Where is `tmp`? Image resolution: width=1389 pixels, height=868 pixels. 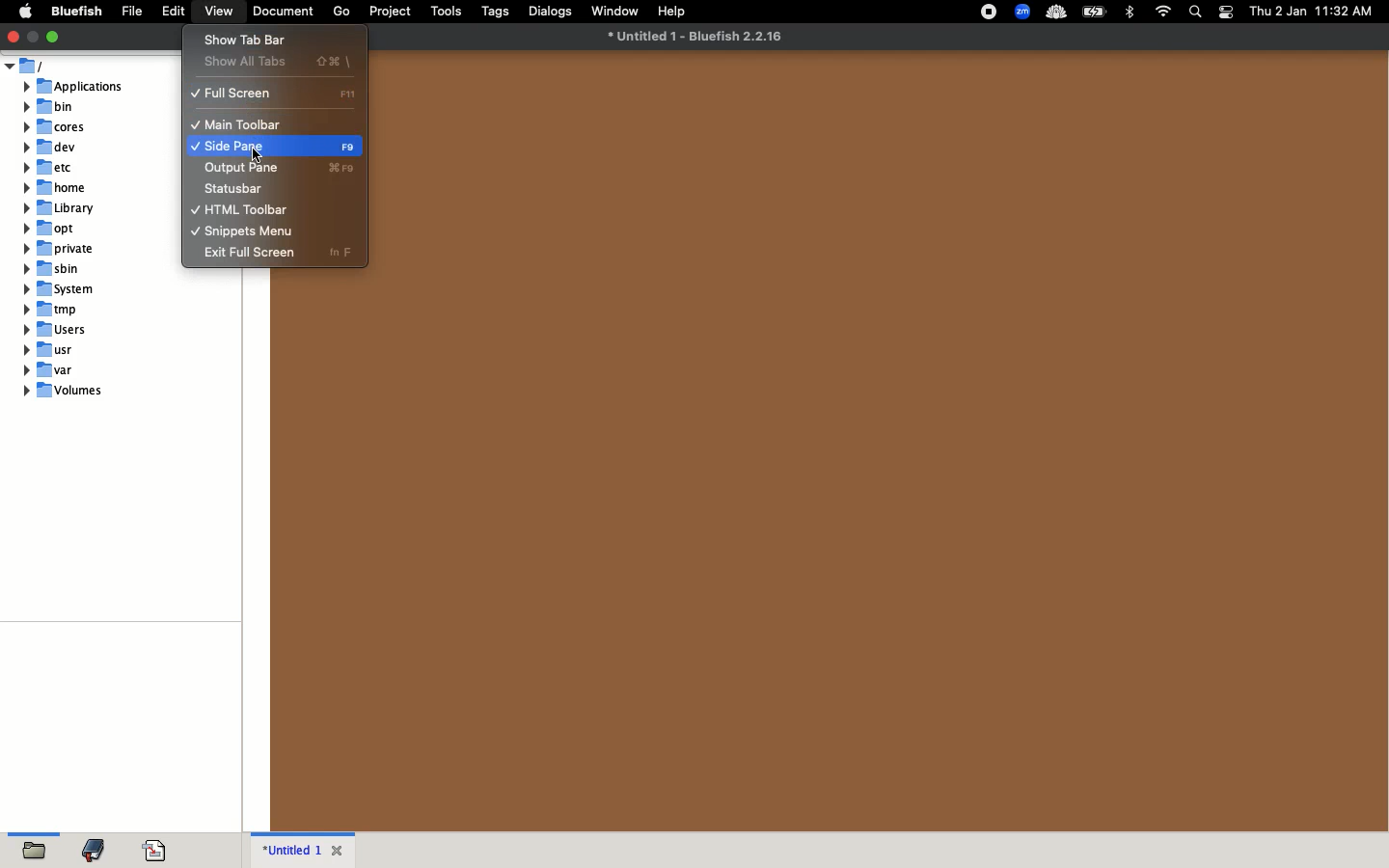 tmp is located at coordinates (49, 309).